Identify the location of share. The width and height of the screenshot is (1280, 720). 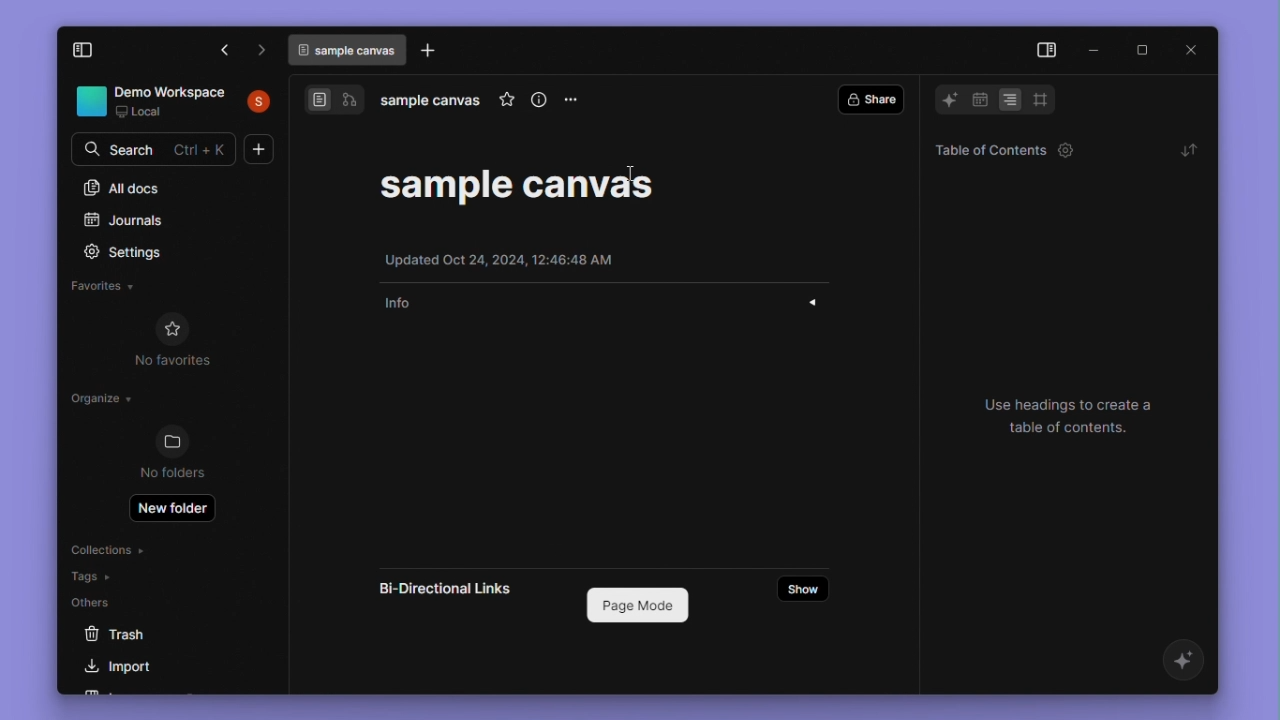
(870, 100).